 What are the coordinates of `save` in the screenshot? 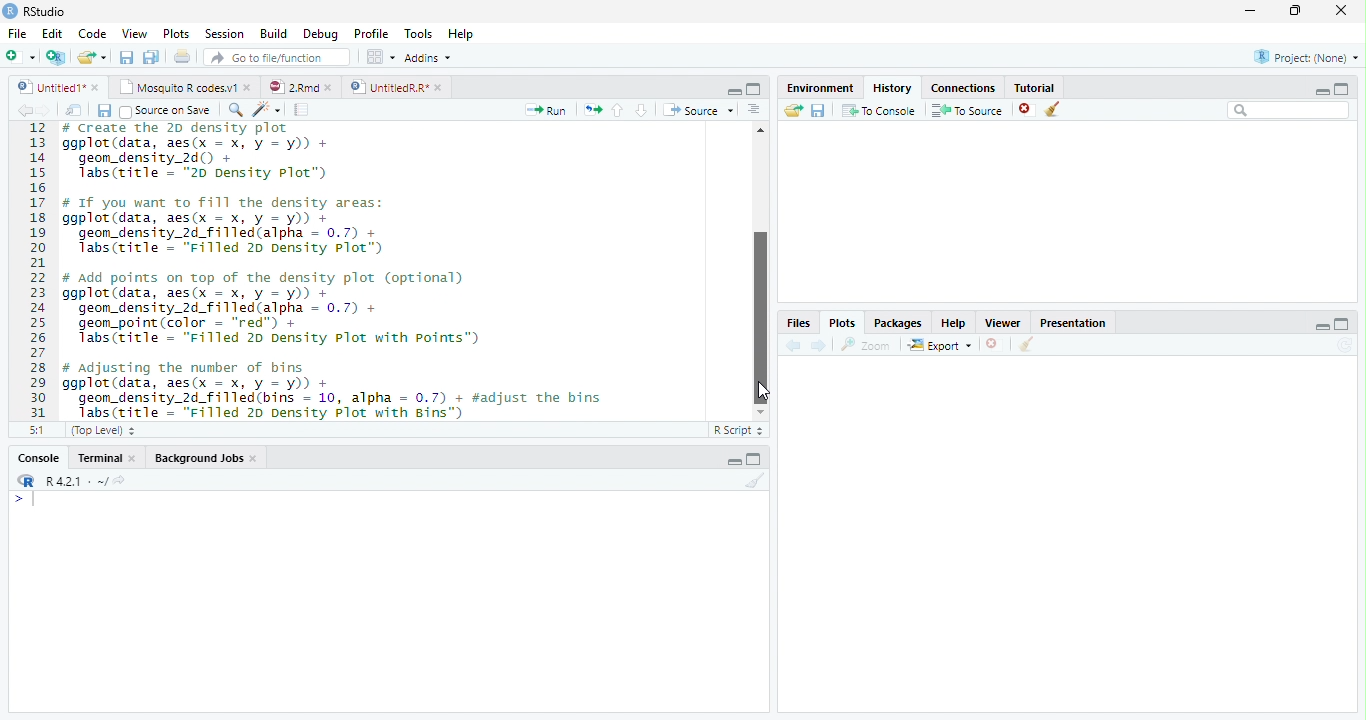 It's located at (104, 111).